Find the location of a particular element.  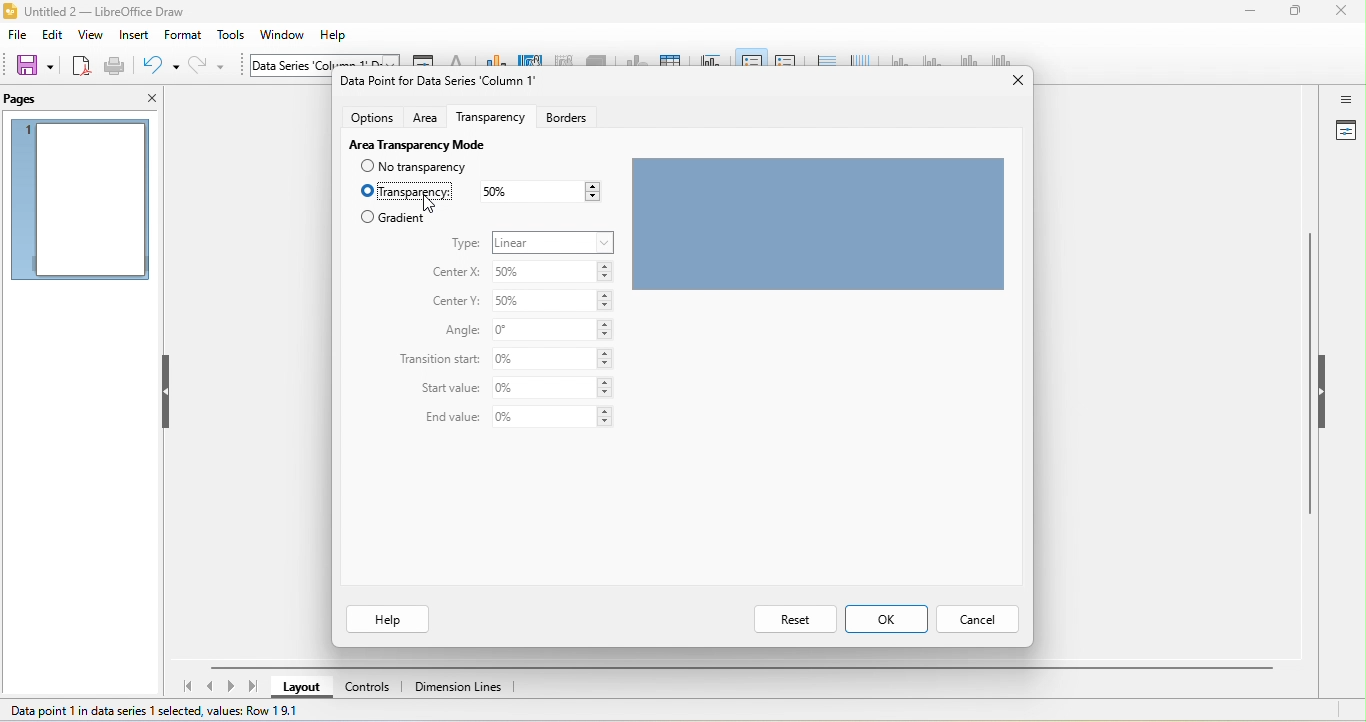

help is located at coordinates (338, 35).